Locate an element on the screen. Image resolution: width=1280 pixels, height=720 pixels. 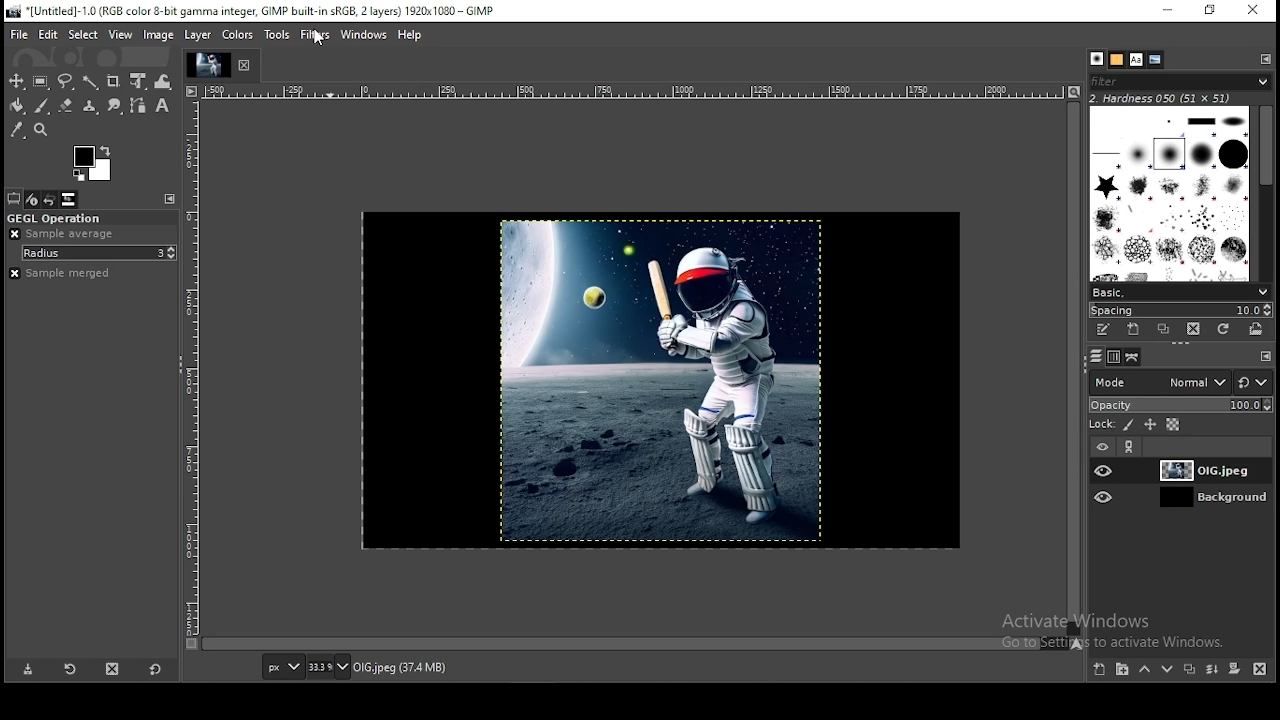
create a new layer is located at coordinates (1101, 669).